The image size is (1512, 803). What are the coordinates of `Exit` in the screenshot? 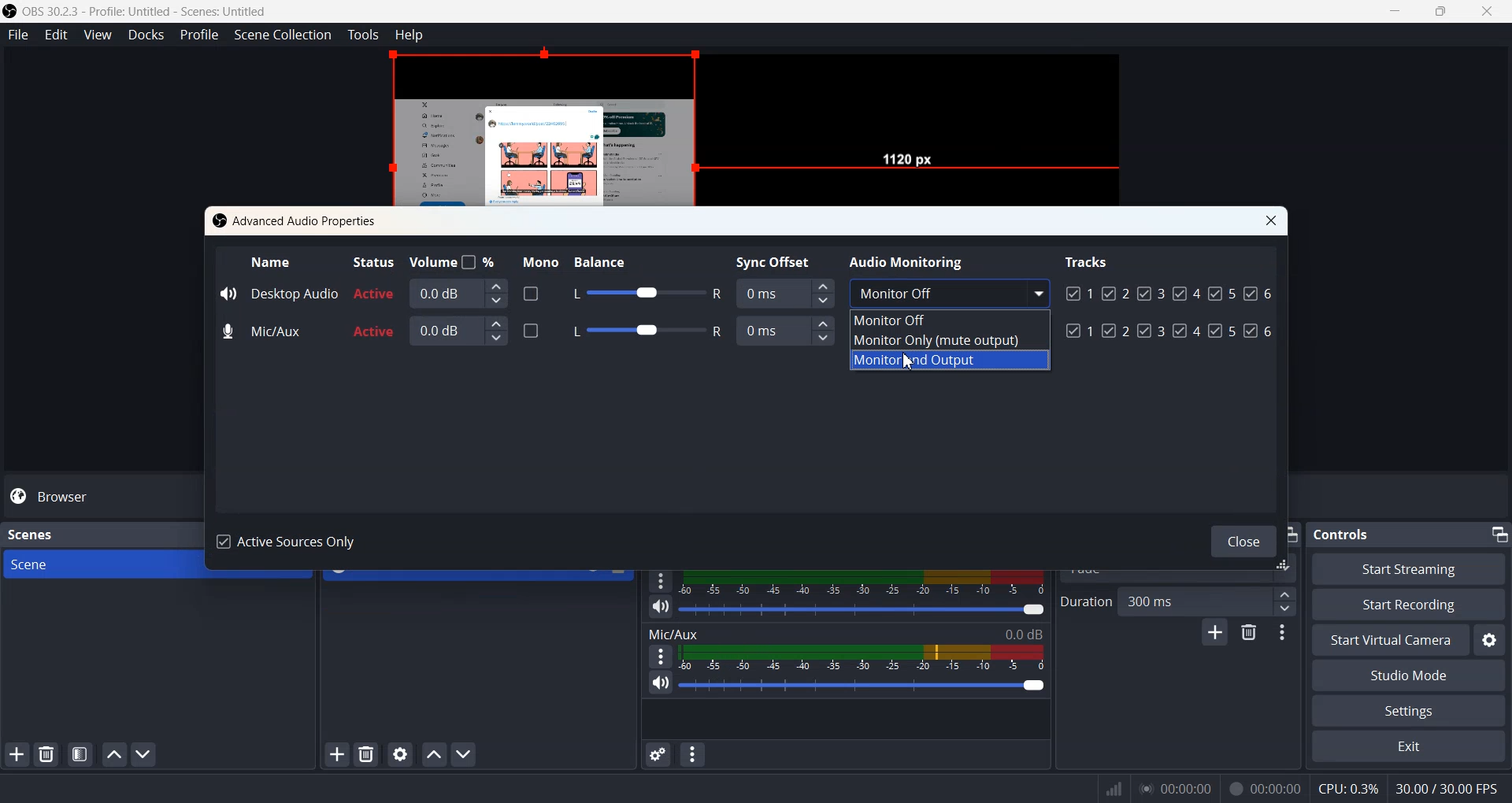 It's located at (1407, 748).